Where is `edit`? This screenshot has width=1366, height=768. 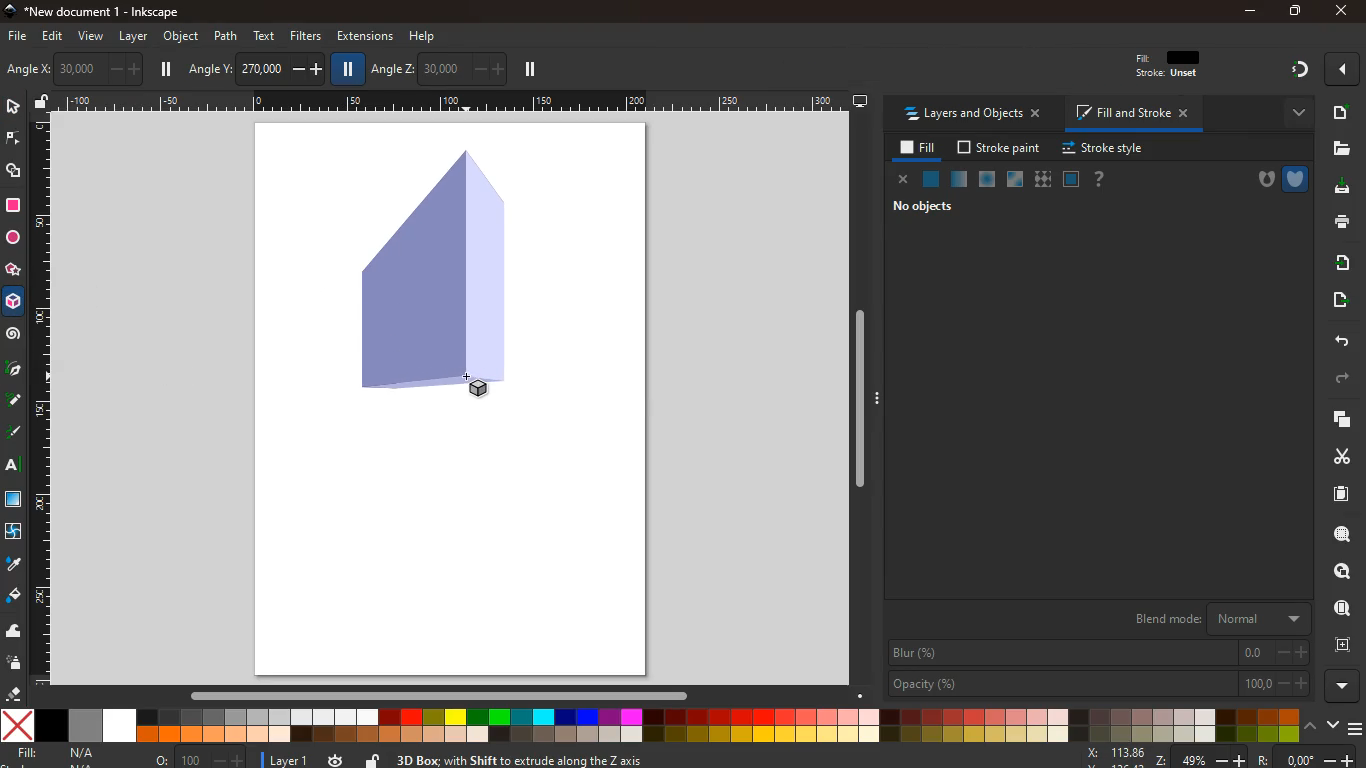
edit is located at coordinates (57, 38).